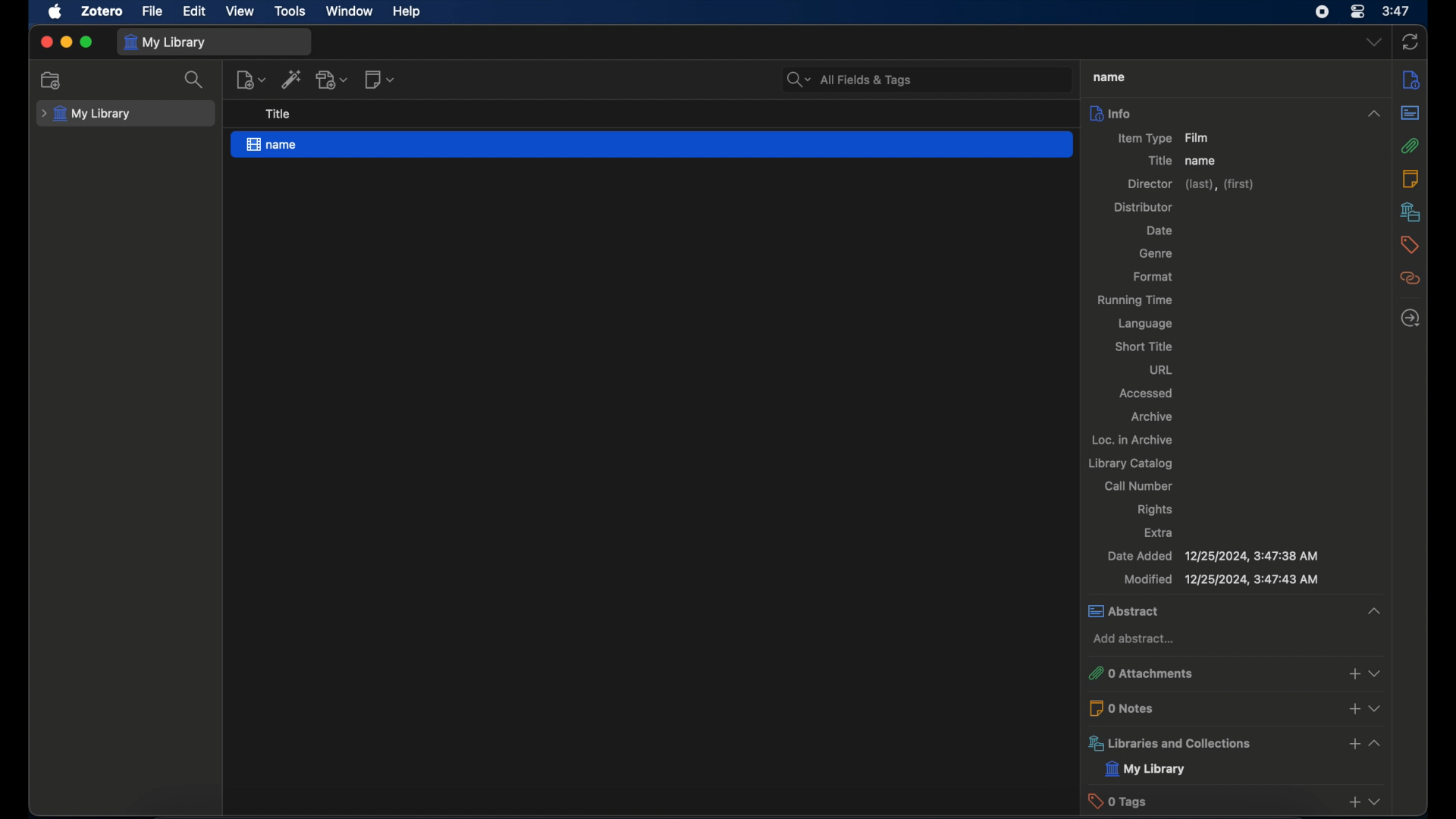 The height and width of the screenshot is (819, 1456). Describe the element at coordinates (65, 42) in the screenshot. I see `minimize` at that location.